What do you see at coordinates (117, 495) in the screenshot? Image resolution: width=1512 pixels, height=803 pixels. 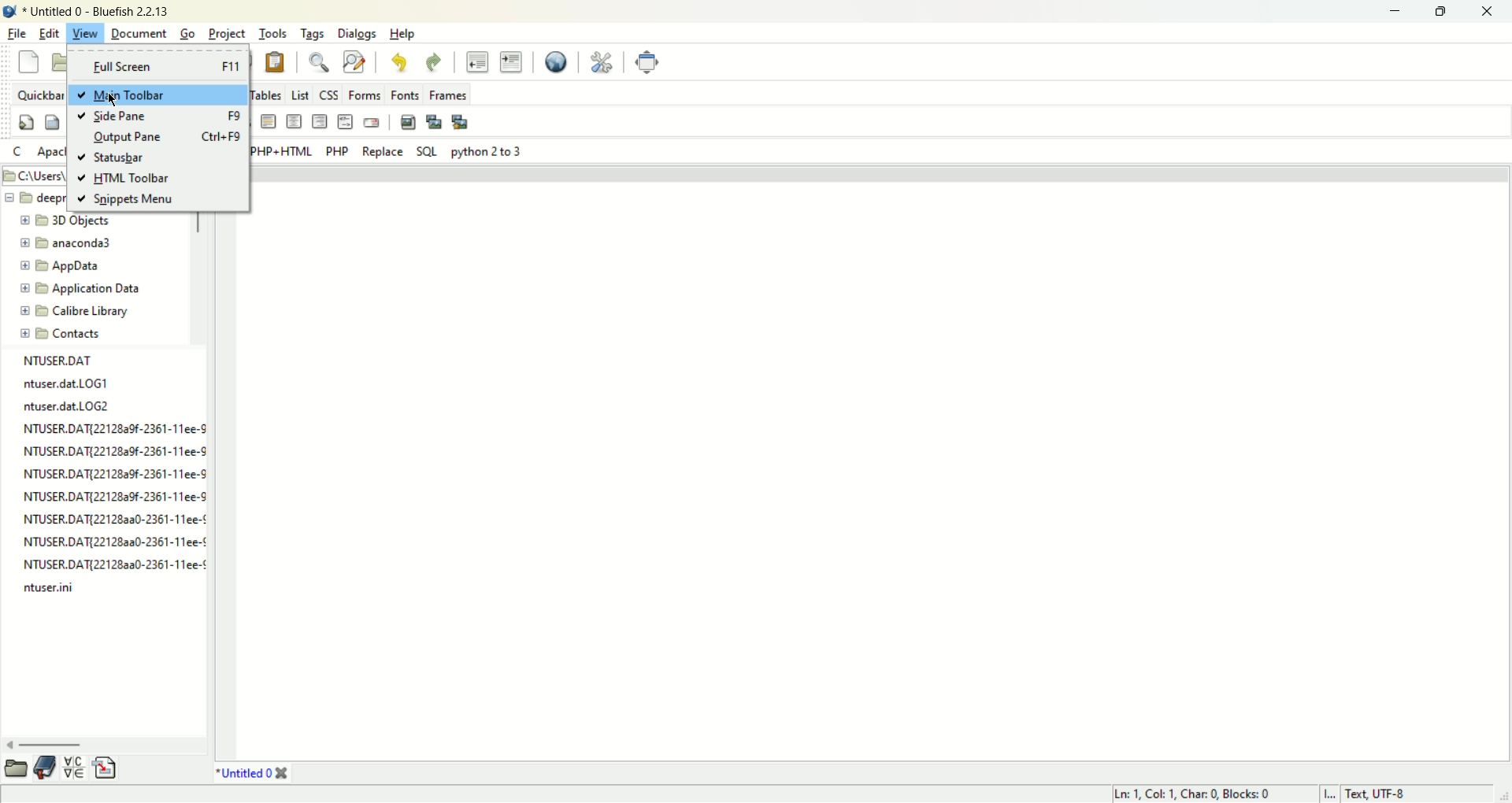 I see `NTUSER.DAT{221282a9f-2361-11ee-9` at bounding box center [117, 495].